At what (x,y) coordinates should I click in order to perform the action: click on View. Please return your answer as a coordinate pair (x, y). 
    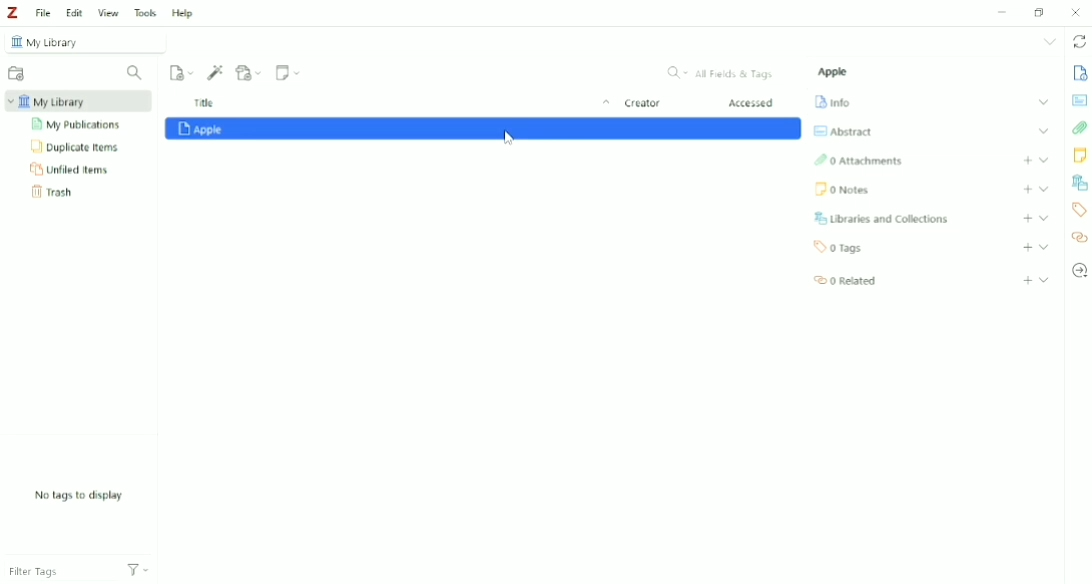
    Looking at the image, I should click on (109, 12).